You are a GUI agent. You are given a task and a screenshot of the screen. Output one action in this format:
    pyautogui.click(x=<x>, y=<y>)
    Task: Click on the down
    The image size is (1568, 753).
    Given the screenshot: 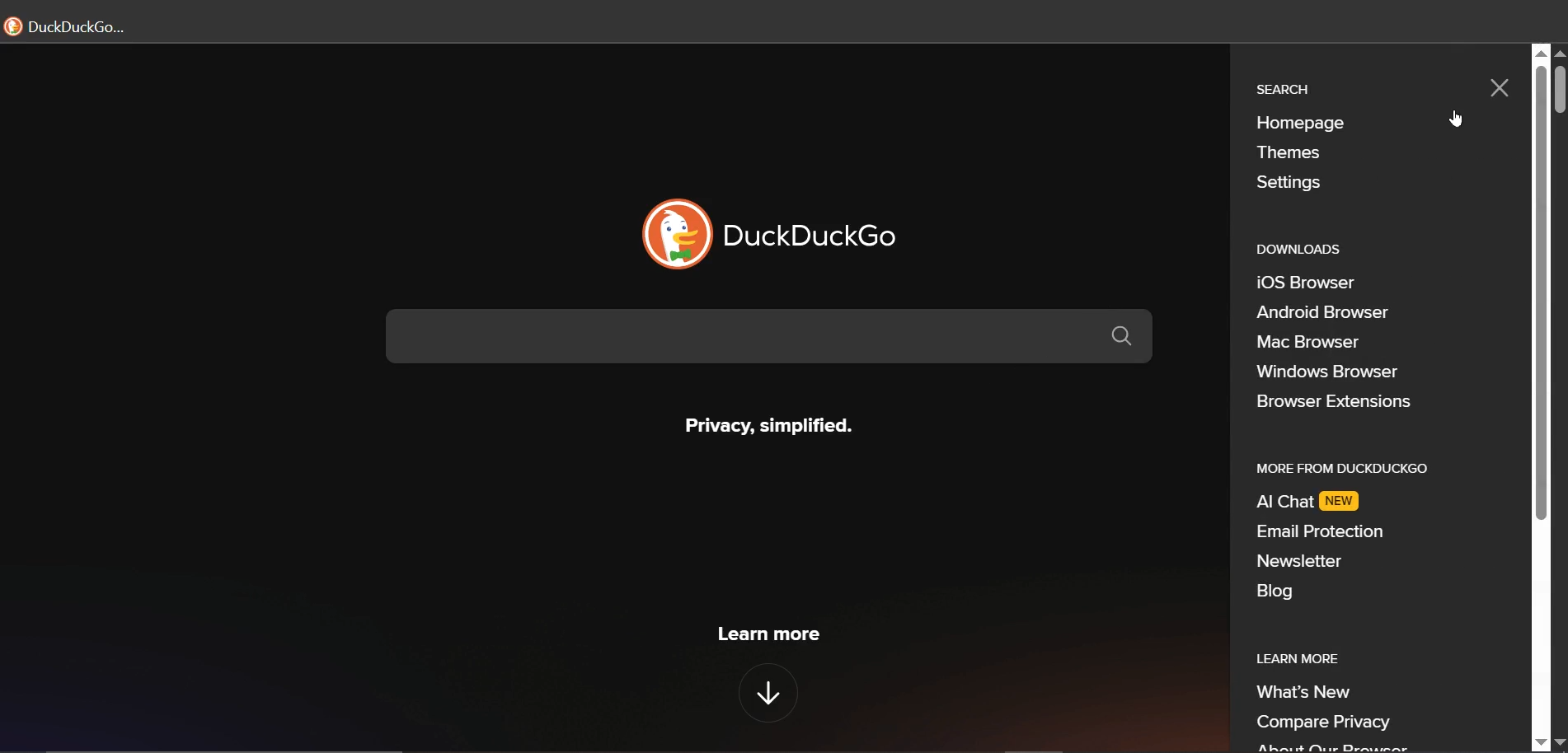 What is the action you would take?
    pyautogui.click(x=763, y=689)
    